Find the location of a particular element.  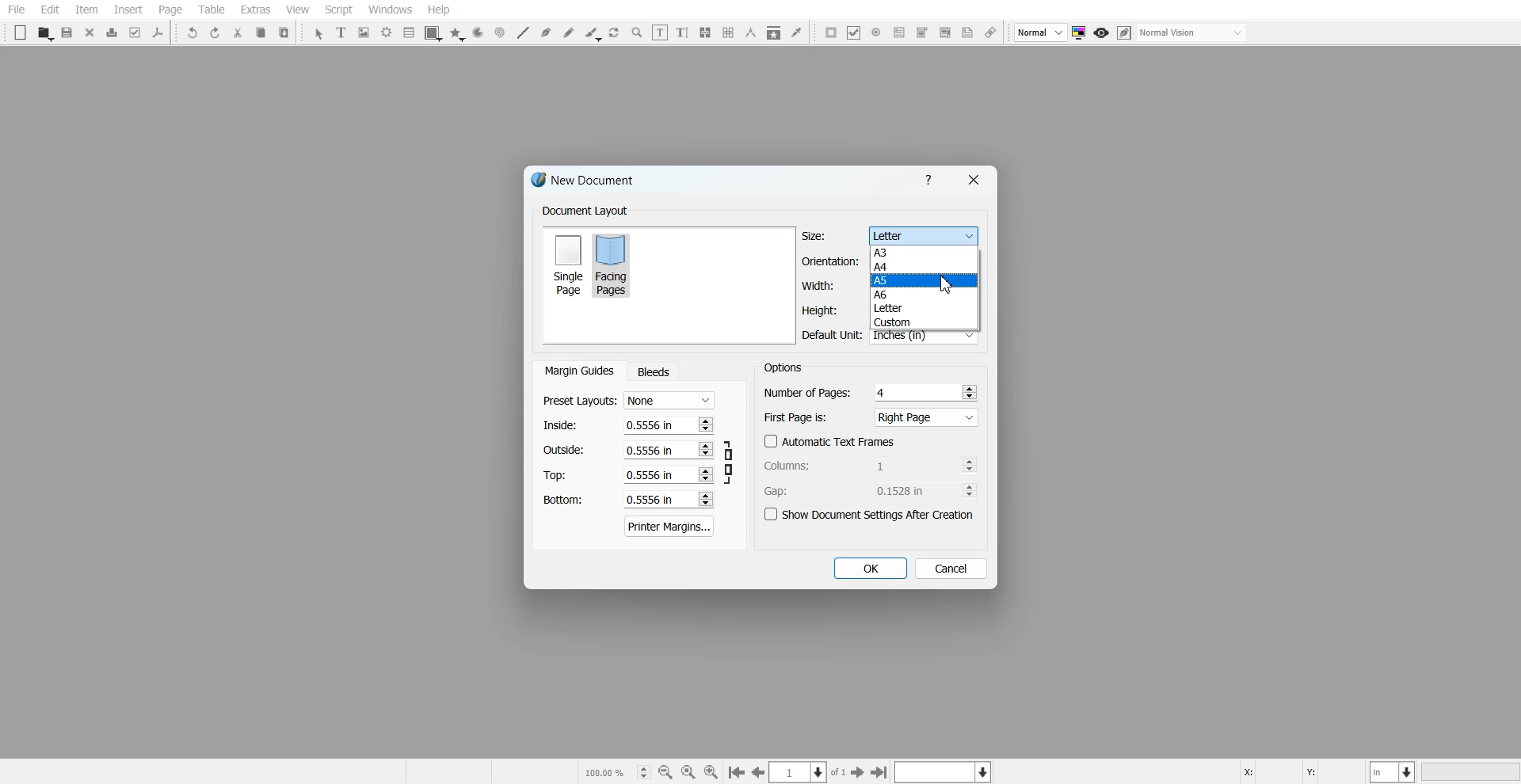

Increase and decrease No.  is located at coordinates (704, 424).